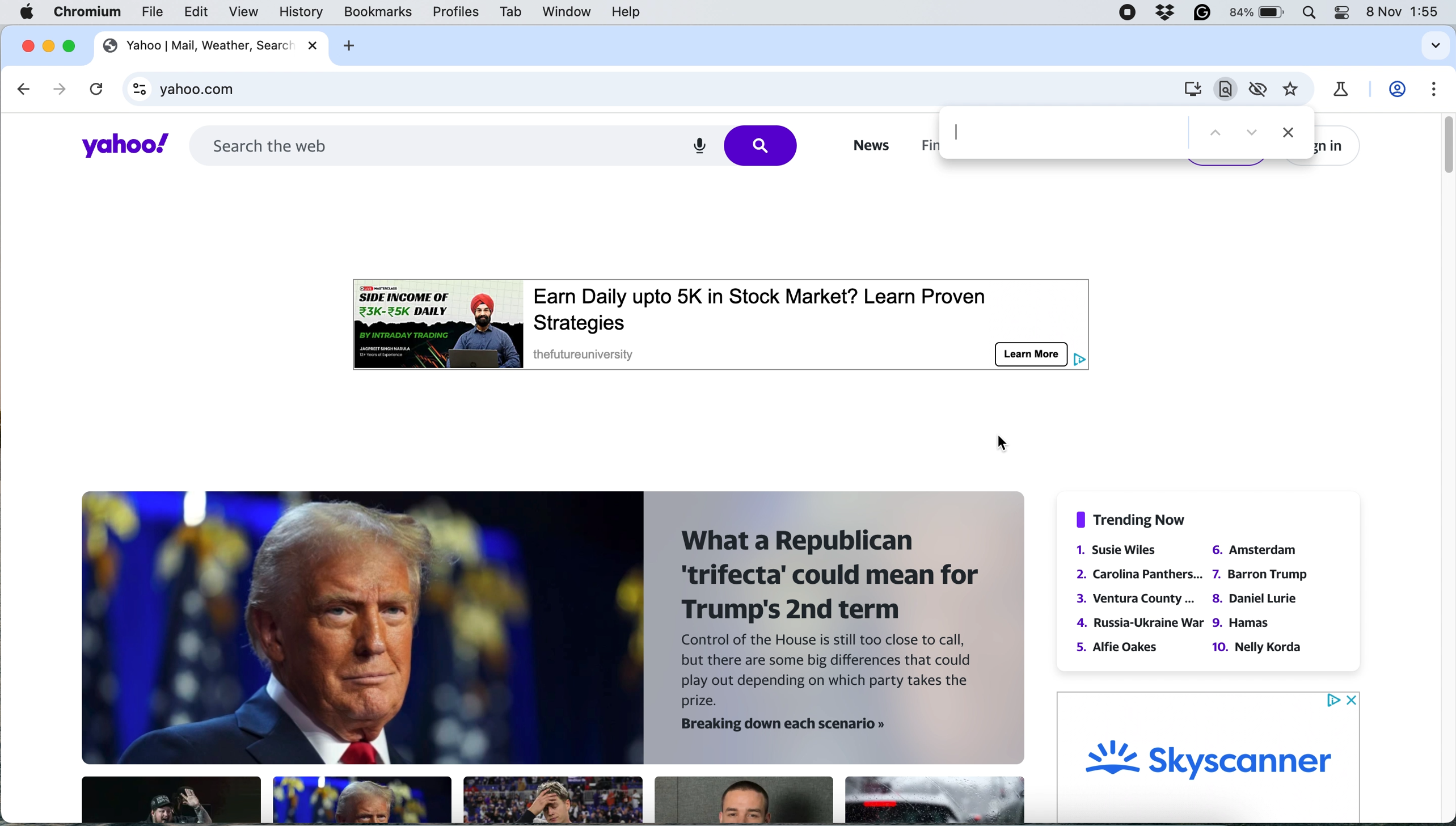 The height and width of the screenshot is (826, 1456). Describe the element at coordinates (1436, 47) in the screenshot. I see `search tabs` at that location.